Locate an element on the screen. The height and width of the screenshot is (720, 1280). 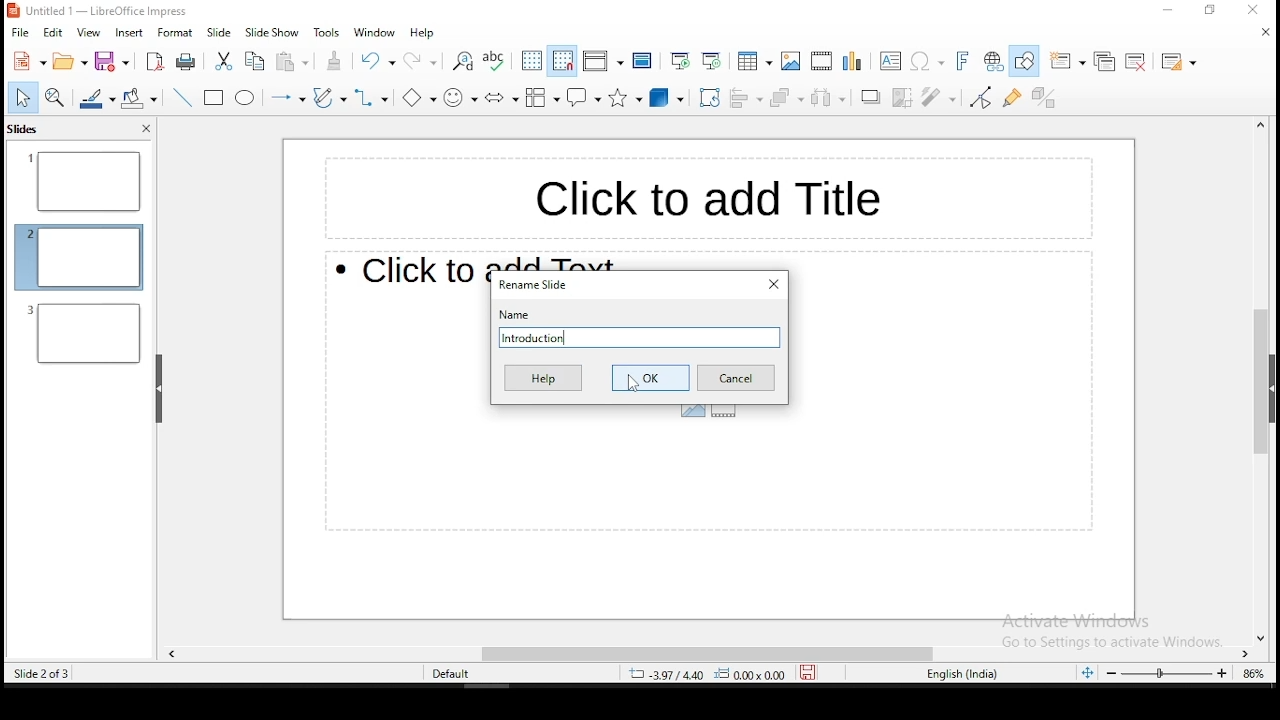
distribute is located at coordinates (828, 99).